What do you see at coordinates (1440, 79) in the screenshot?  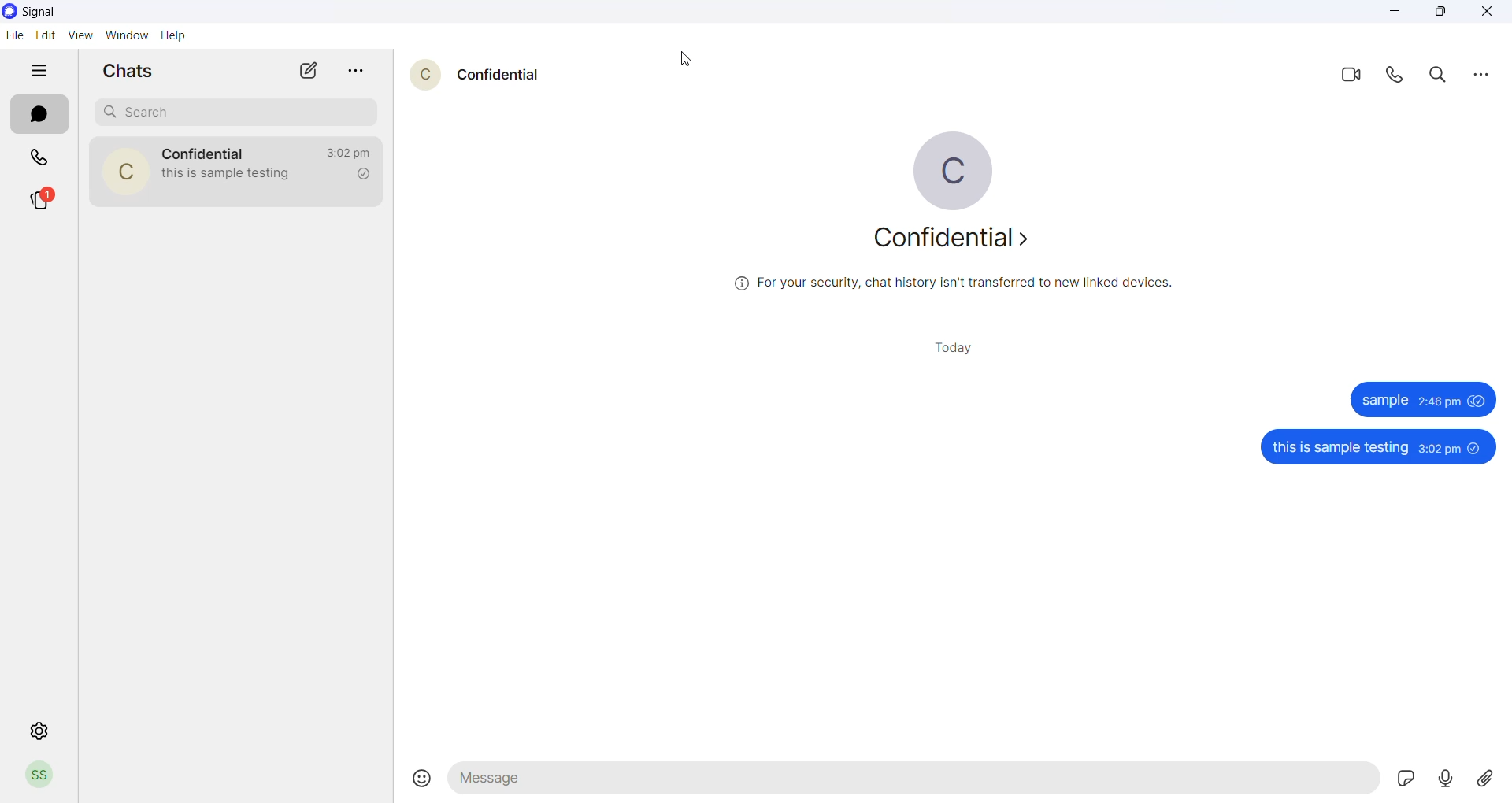 I see `search in messages` at bounding box center [1440, 79].